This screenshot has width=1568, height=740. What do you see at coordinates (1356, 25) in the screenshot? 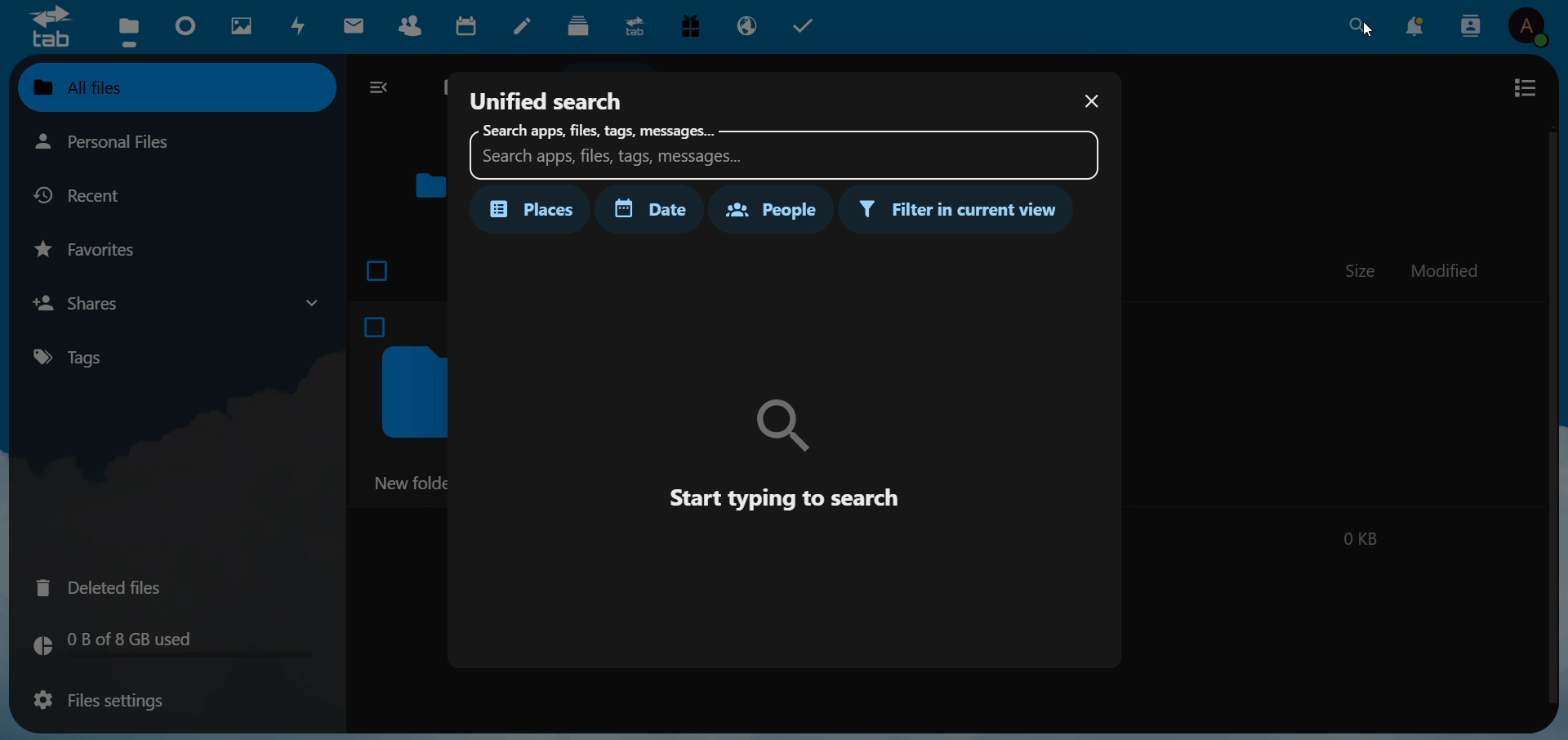
I see `search` at bounding box center [1356, 25].